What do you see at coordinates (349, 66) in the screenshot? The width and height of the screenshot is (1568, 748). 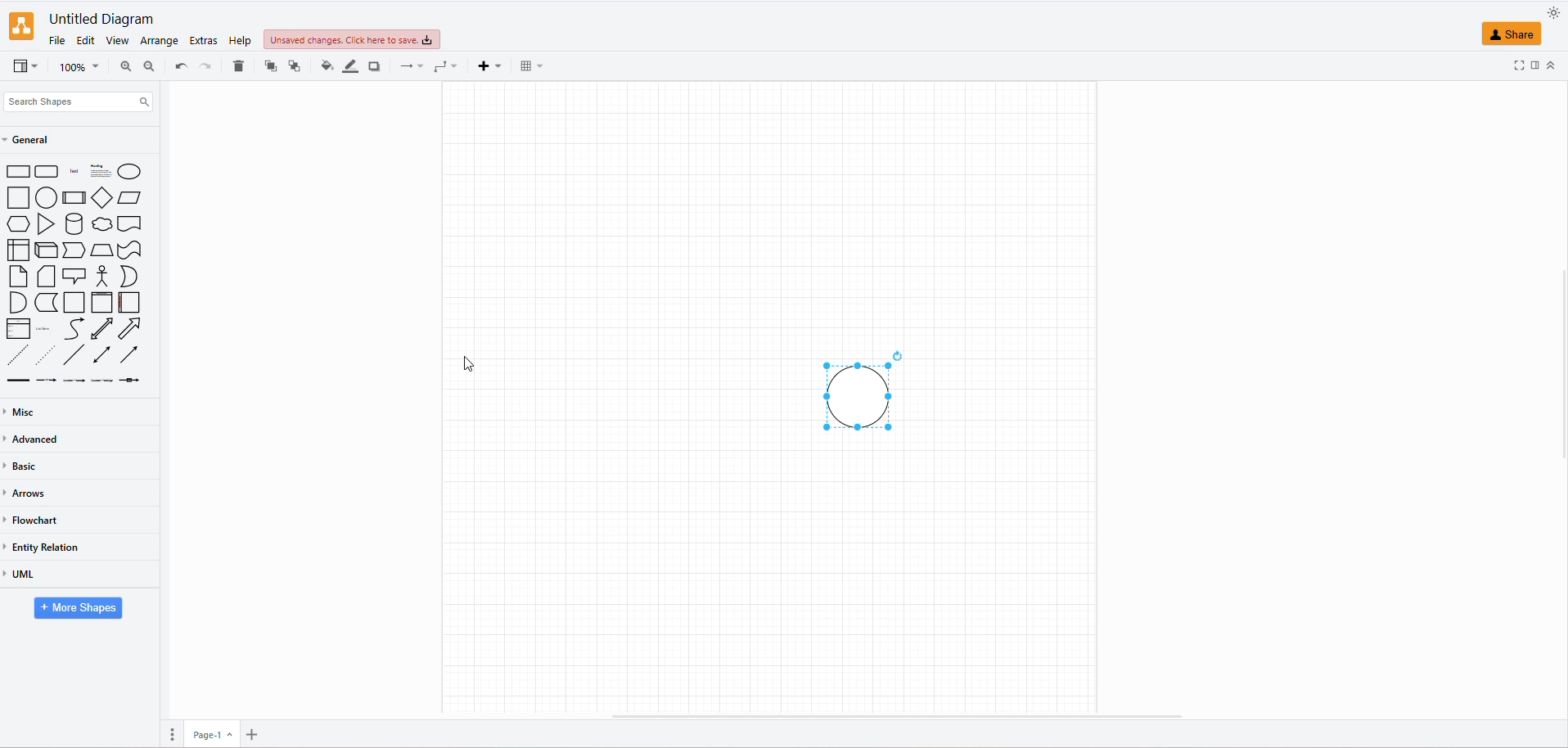 I see `LINE COLOR` at bounding box center [349, 66].